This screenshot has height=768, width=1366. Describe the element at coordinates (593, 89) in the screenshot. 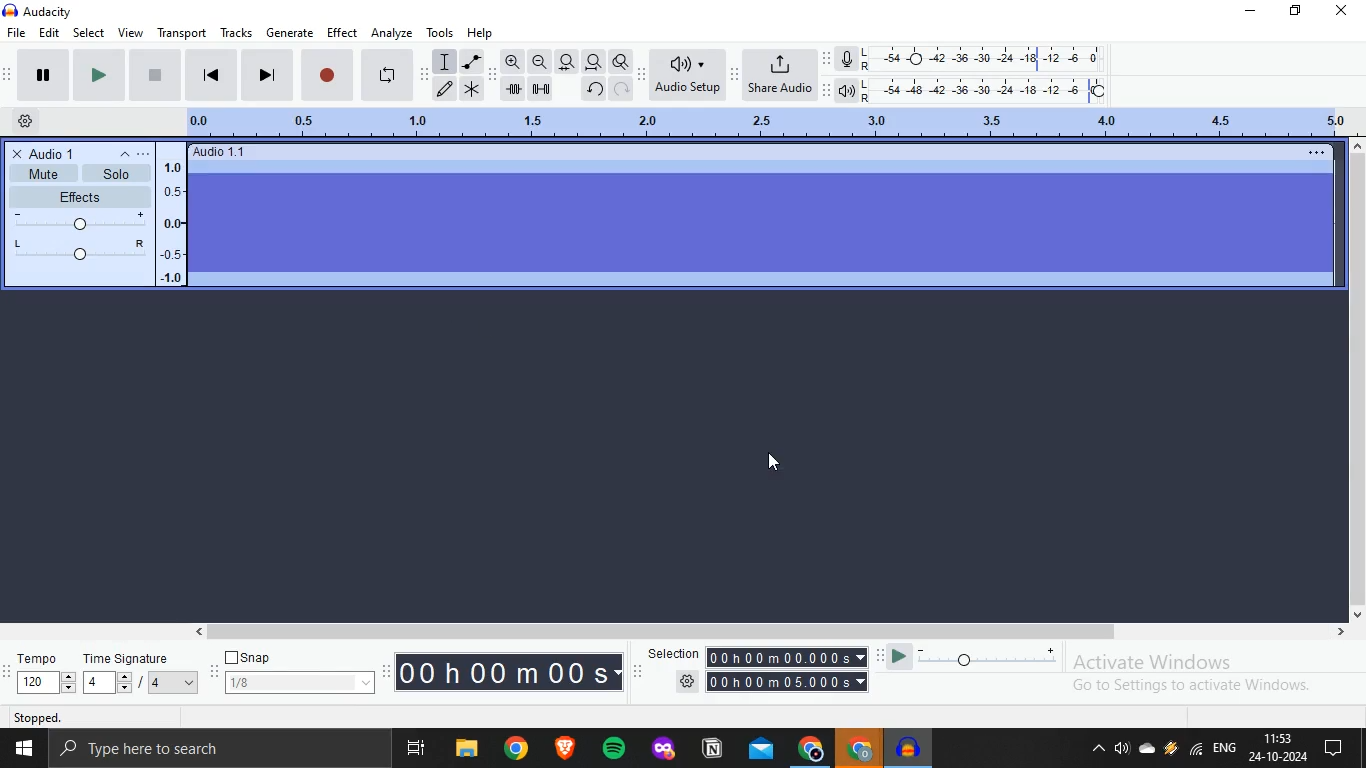

I see `Revert Changes` at that location.